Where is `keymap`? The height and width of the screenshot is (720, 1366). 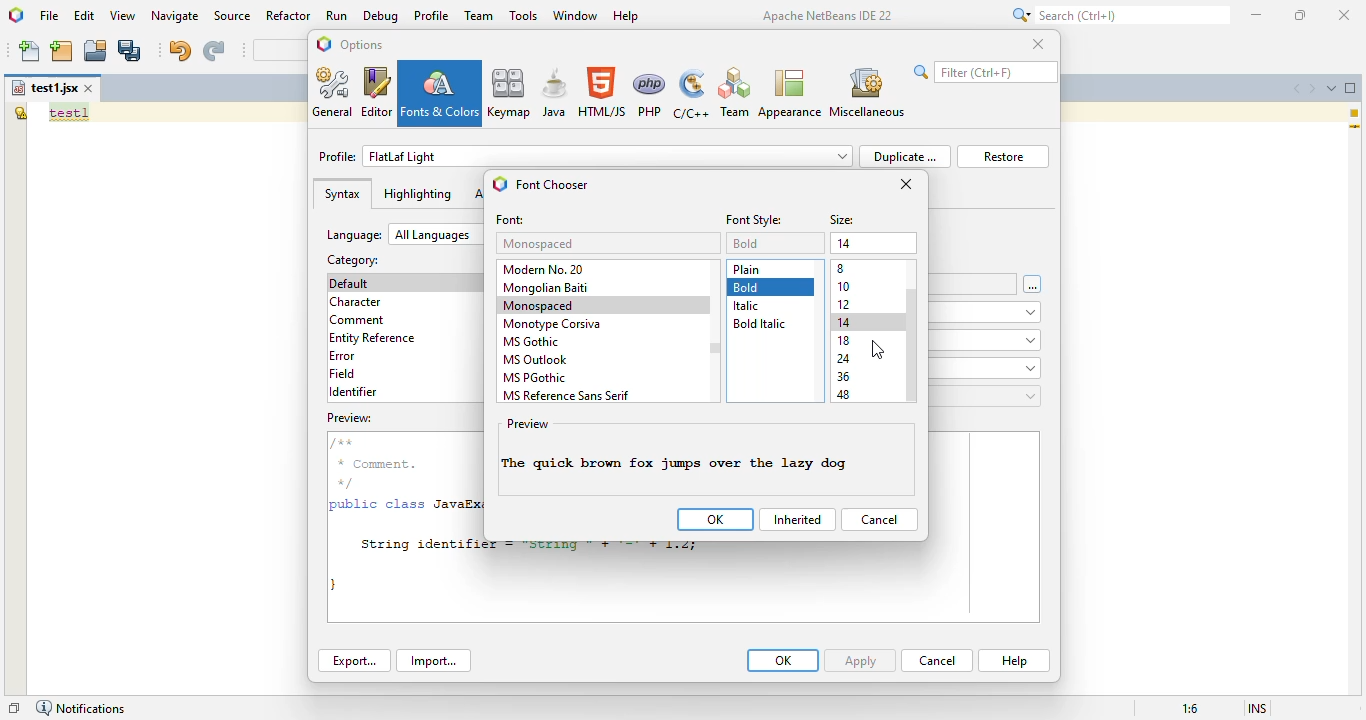
keymap is located at coordinates (509, 92).